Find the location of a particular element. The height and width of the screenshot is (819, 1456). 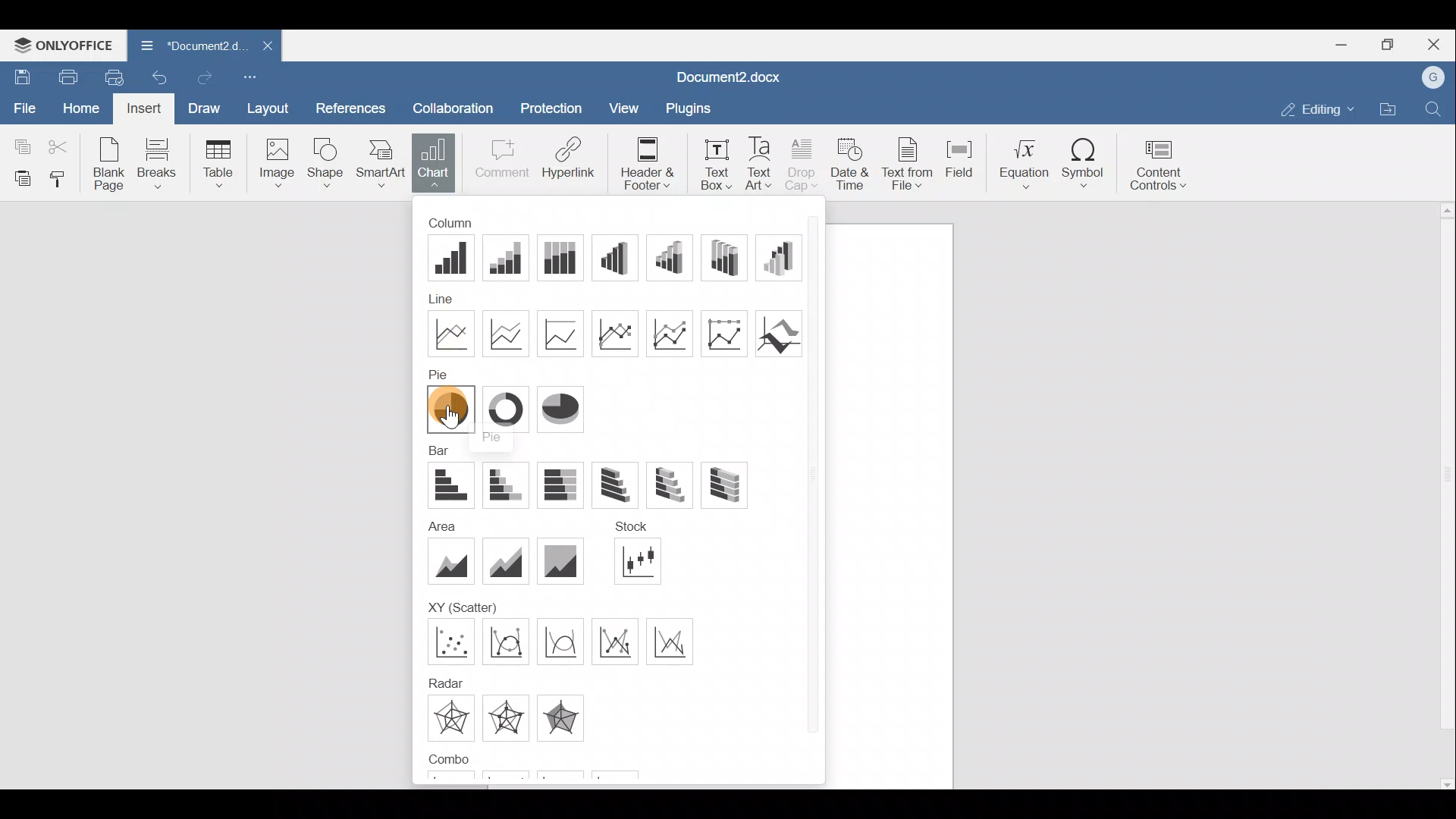

Paste is located at coordinates (19, 177).